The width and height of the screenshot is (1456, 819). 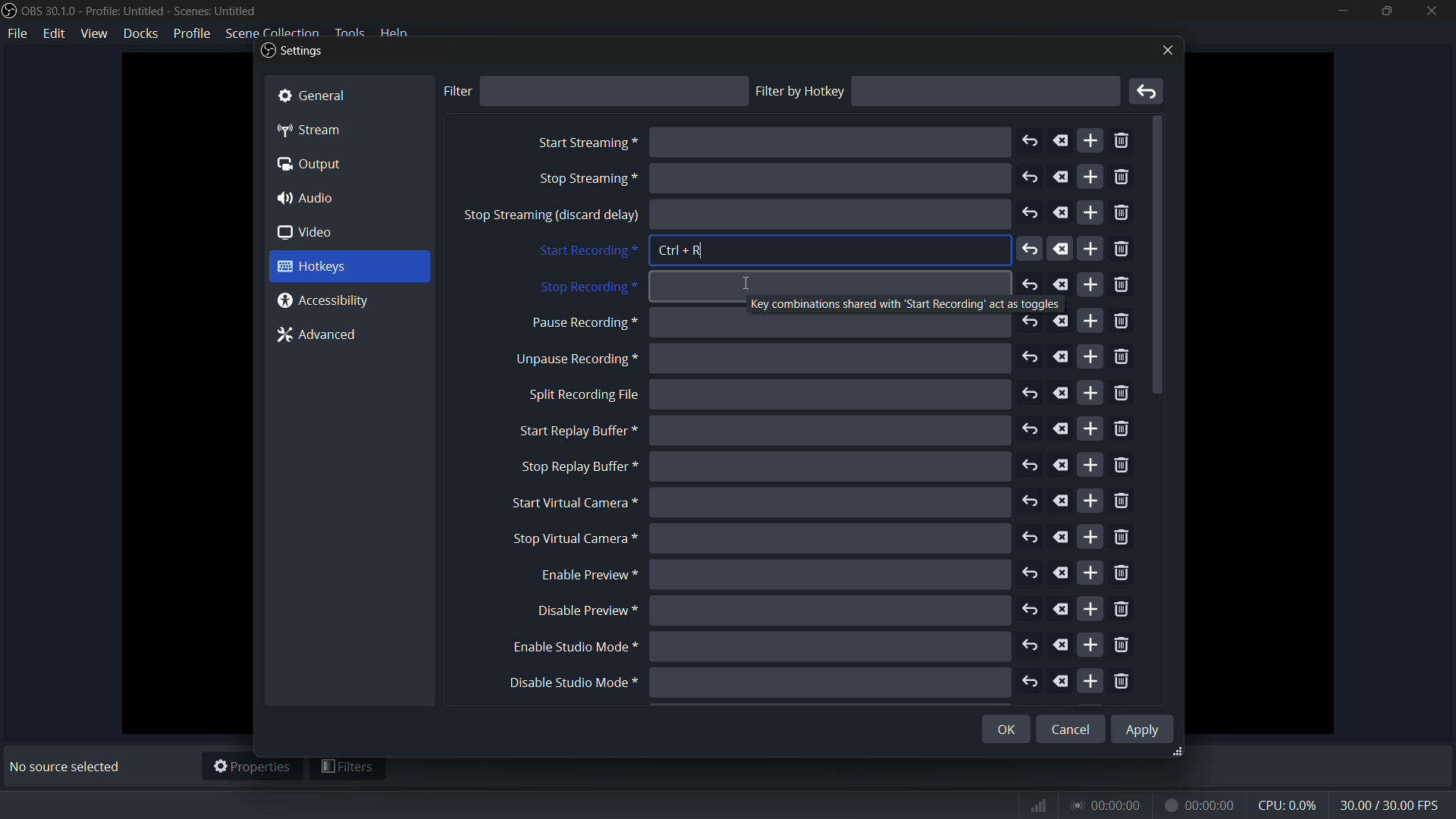 I want to click on delete, so click(x=1062, y=215).